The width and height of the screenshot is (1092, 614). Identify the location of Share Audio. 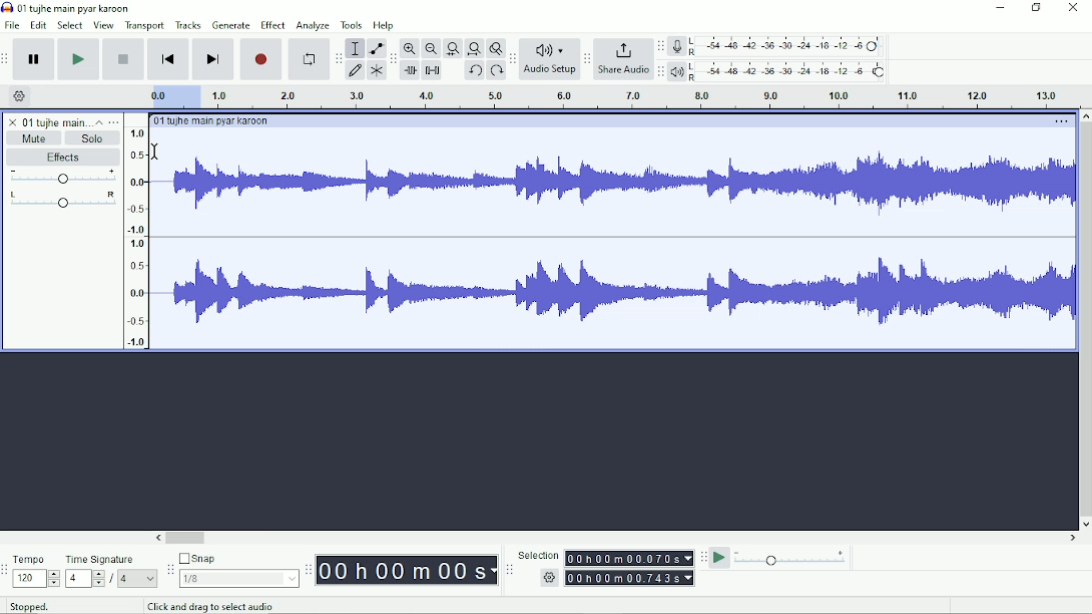
(622, 71).